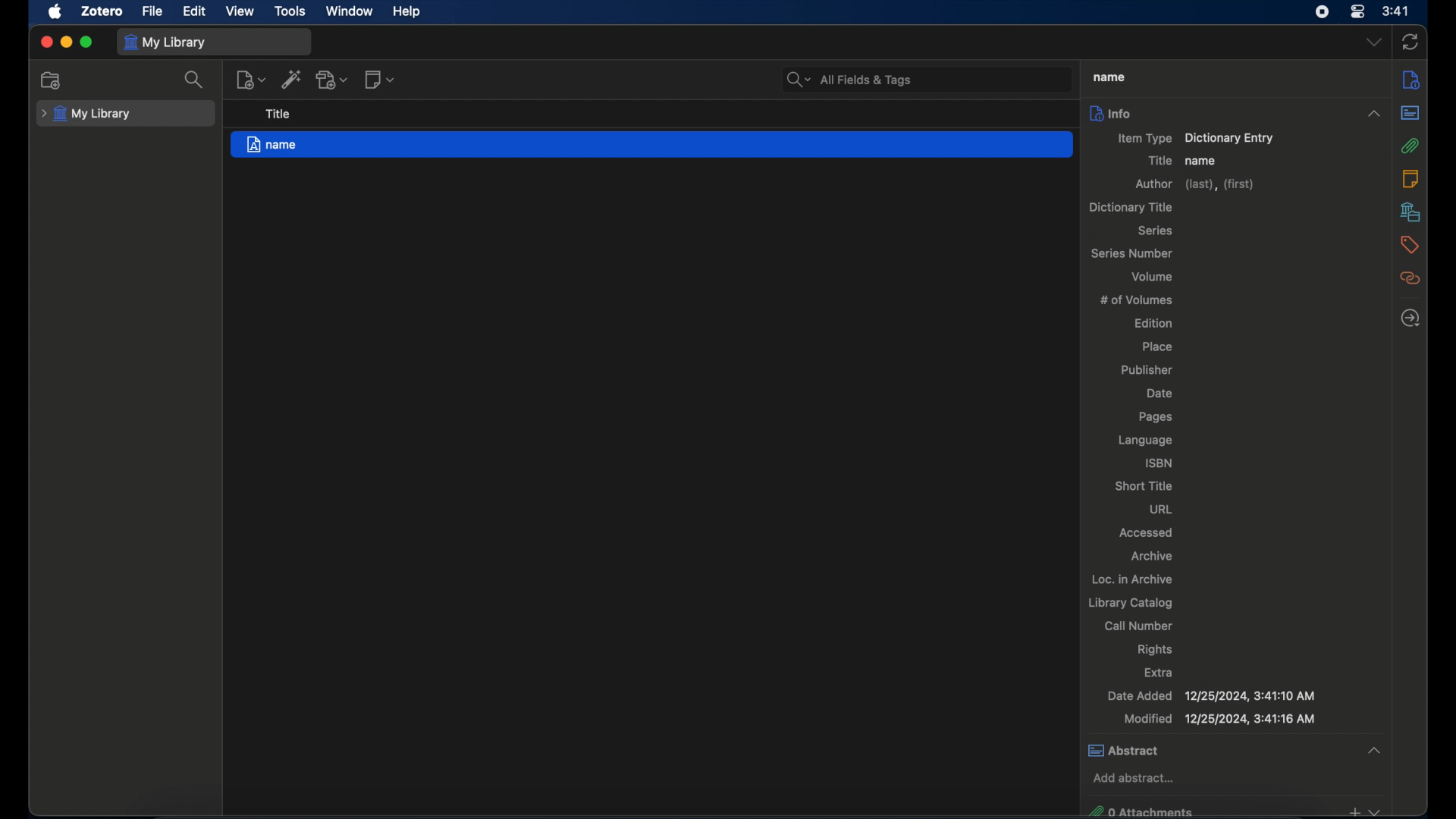  Describe the element at coordinates (1162, 394) in the screenshot. I see `date` at that location.